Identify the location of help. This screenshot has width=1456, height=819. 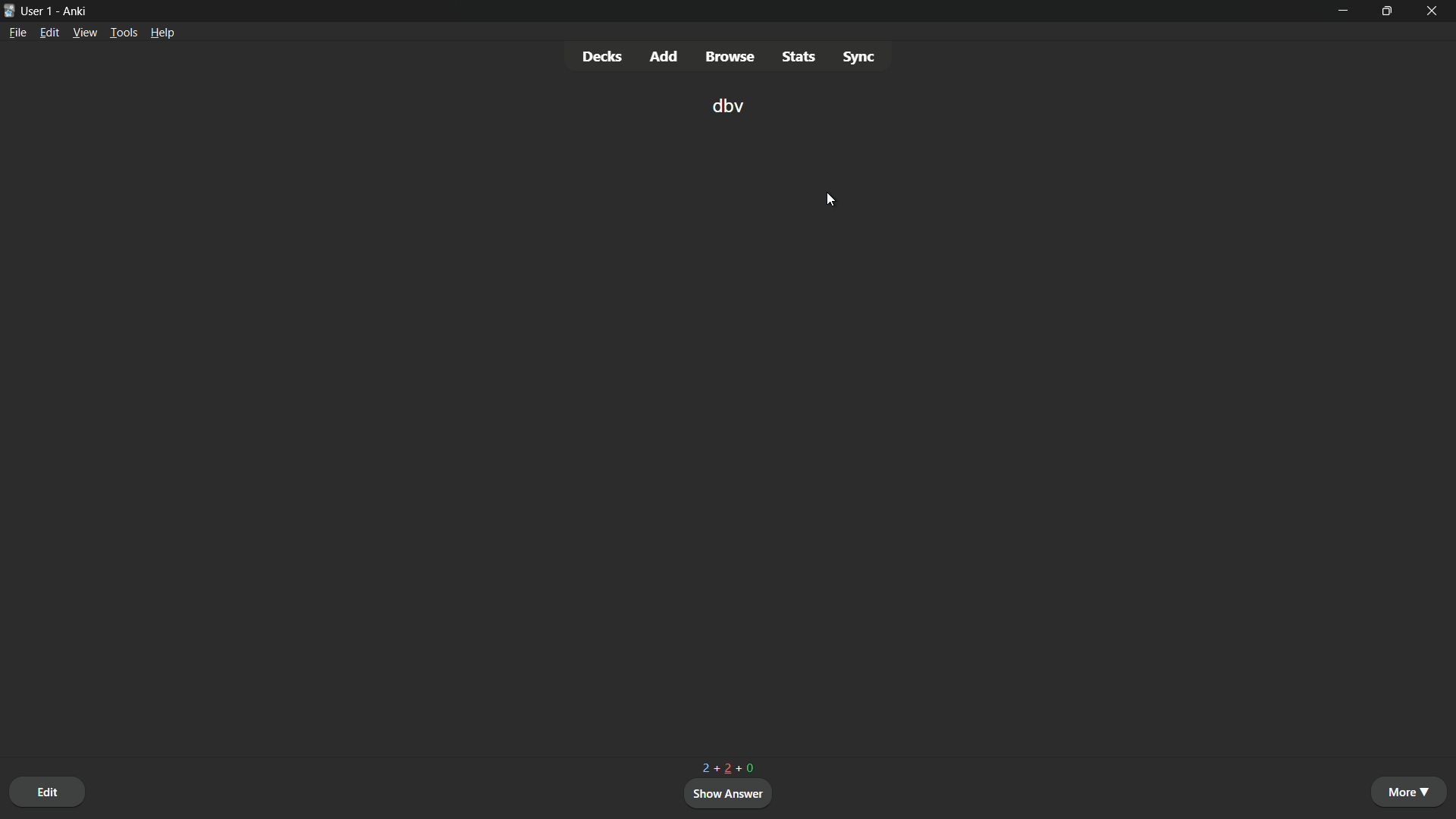
(163, 32).